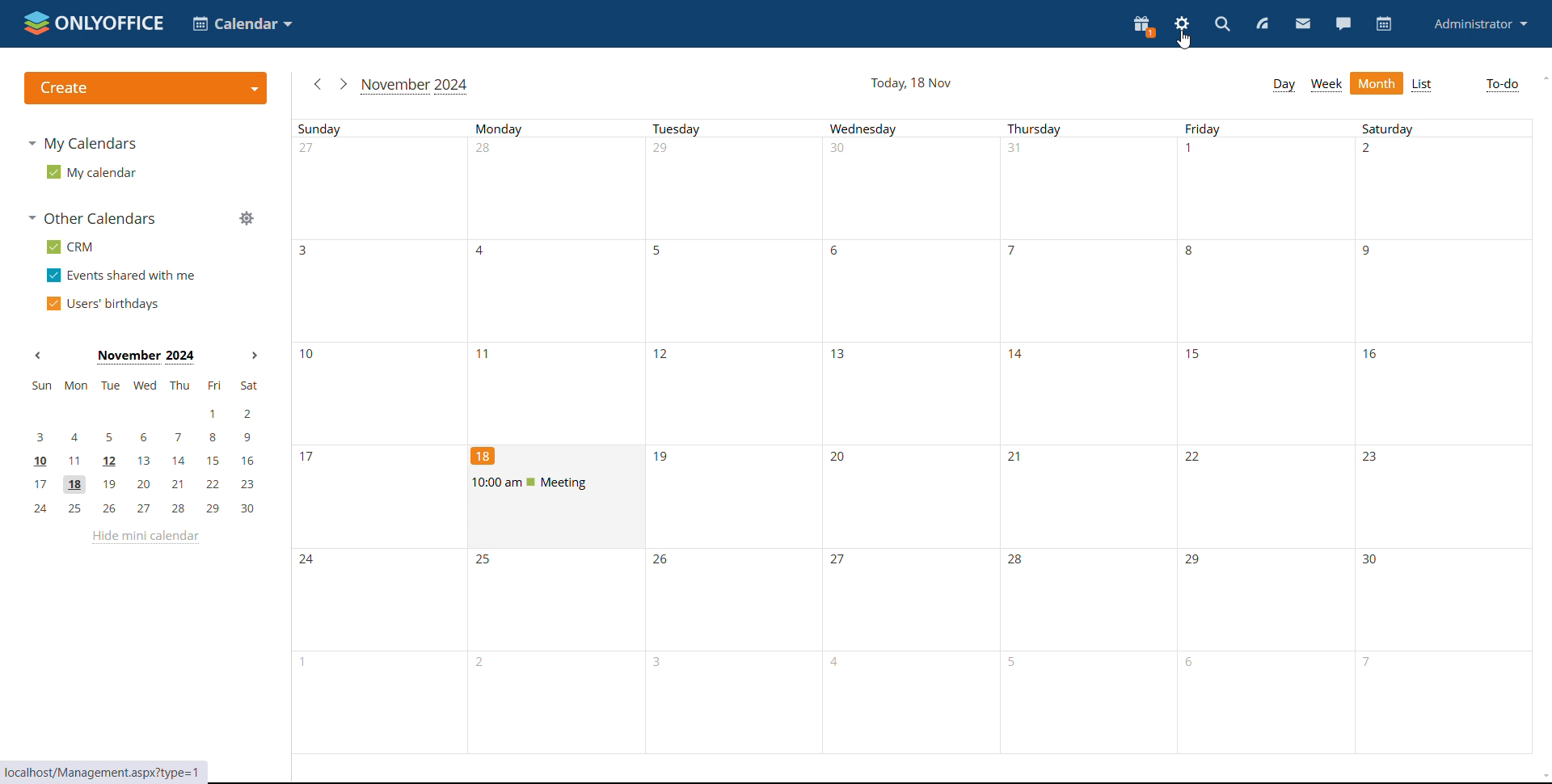 This screenshot has width=1552, height=784. I want to click on scroll down, so click(1542, 776).